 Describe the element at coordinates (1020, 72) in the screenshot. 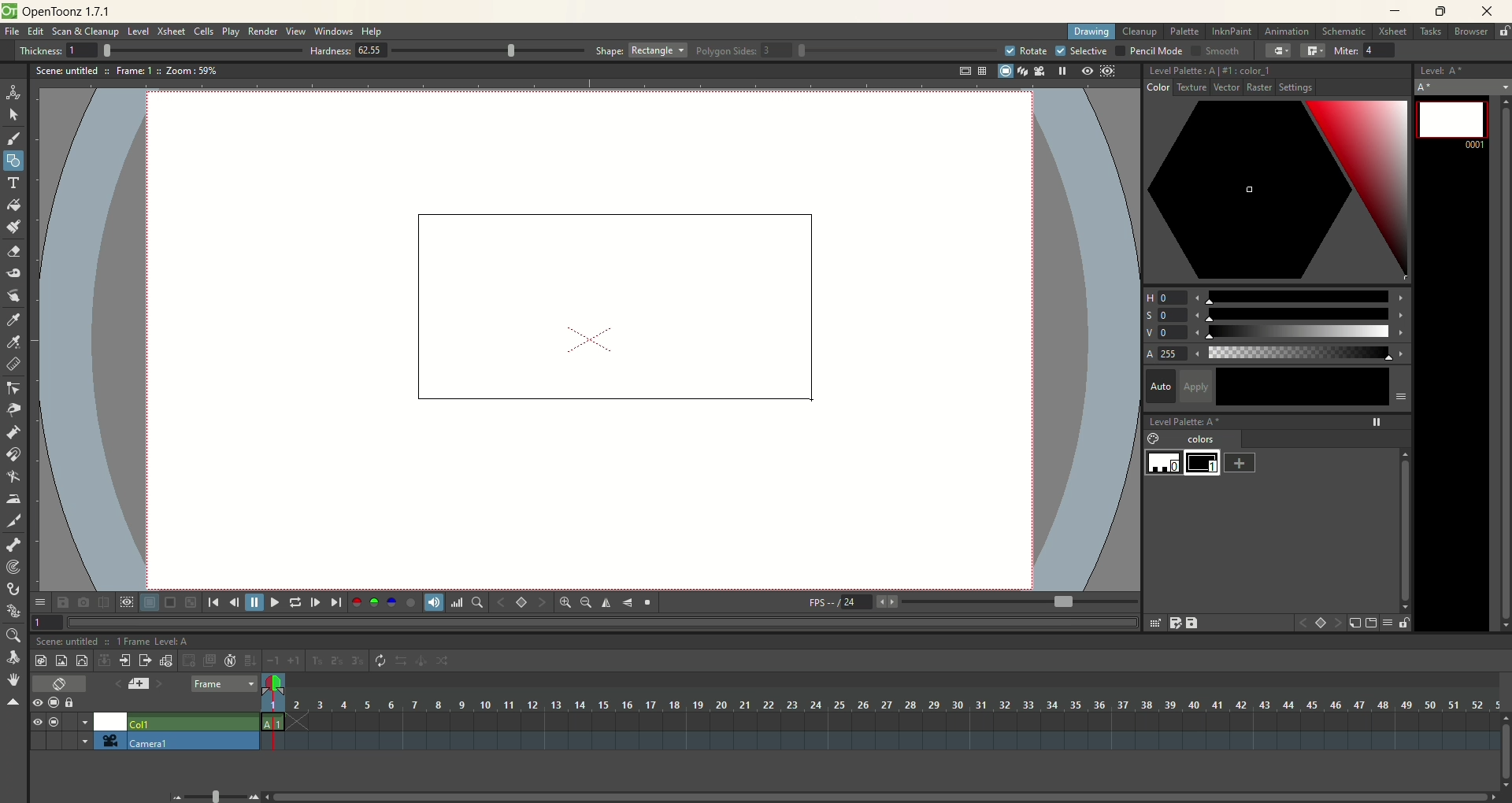

I see `3D view` at that location.